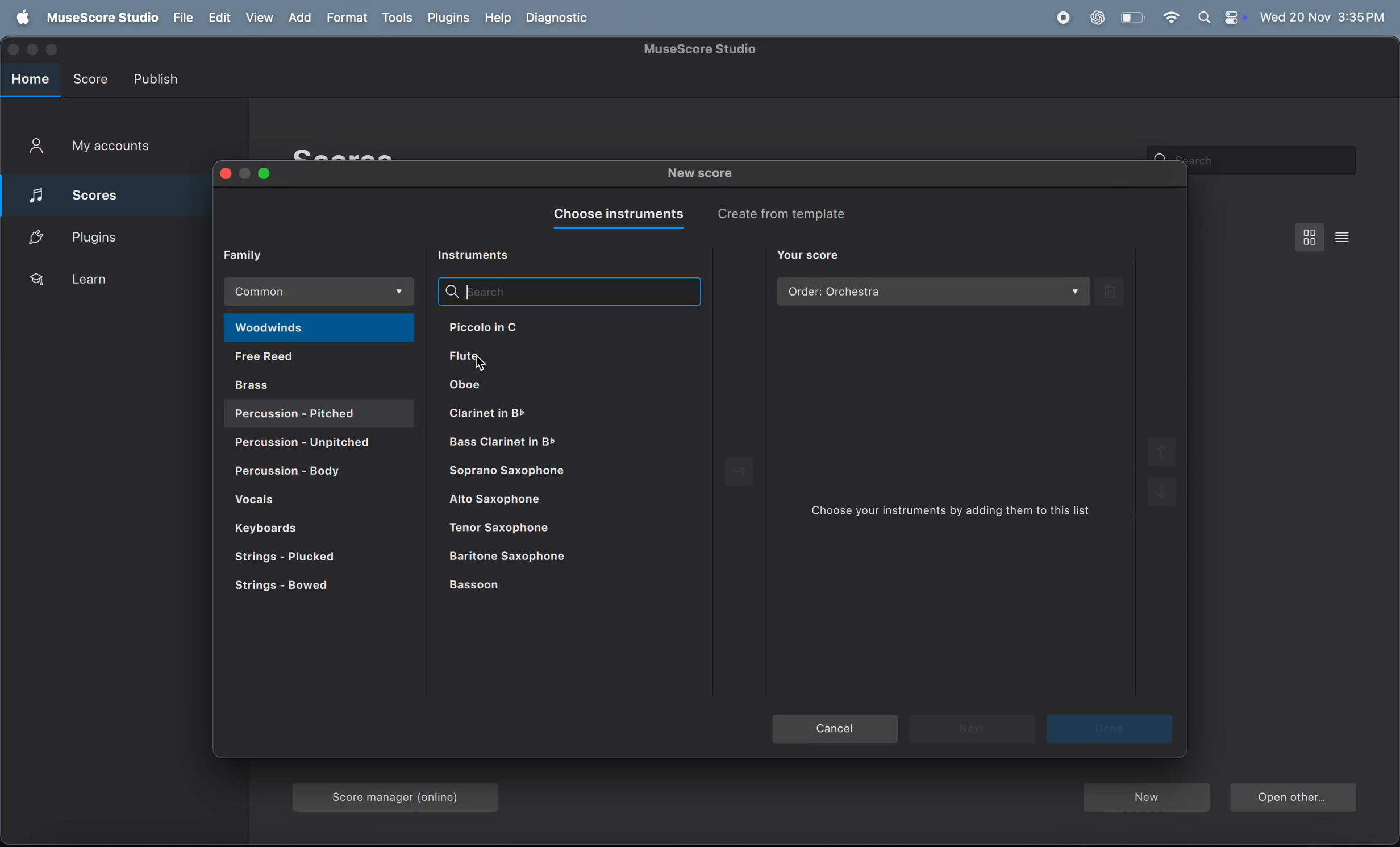  What do you see at coordinates (90, 76) in the screenshot?
I see `score` at bounding box center [90, 76].